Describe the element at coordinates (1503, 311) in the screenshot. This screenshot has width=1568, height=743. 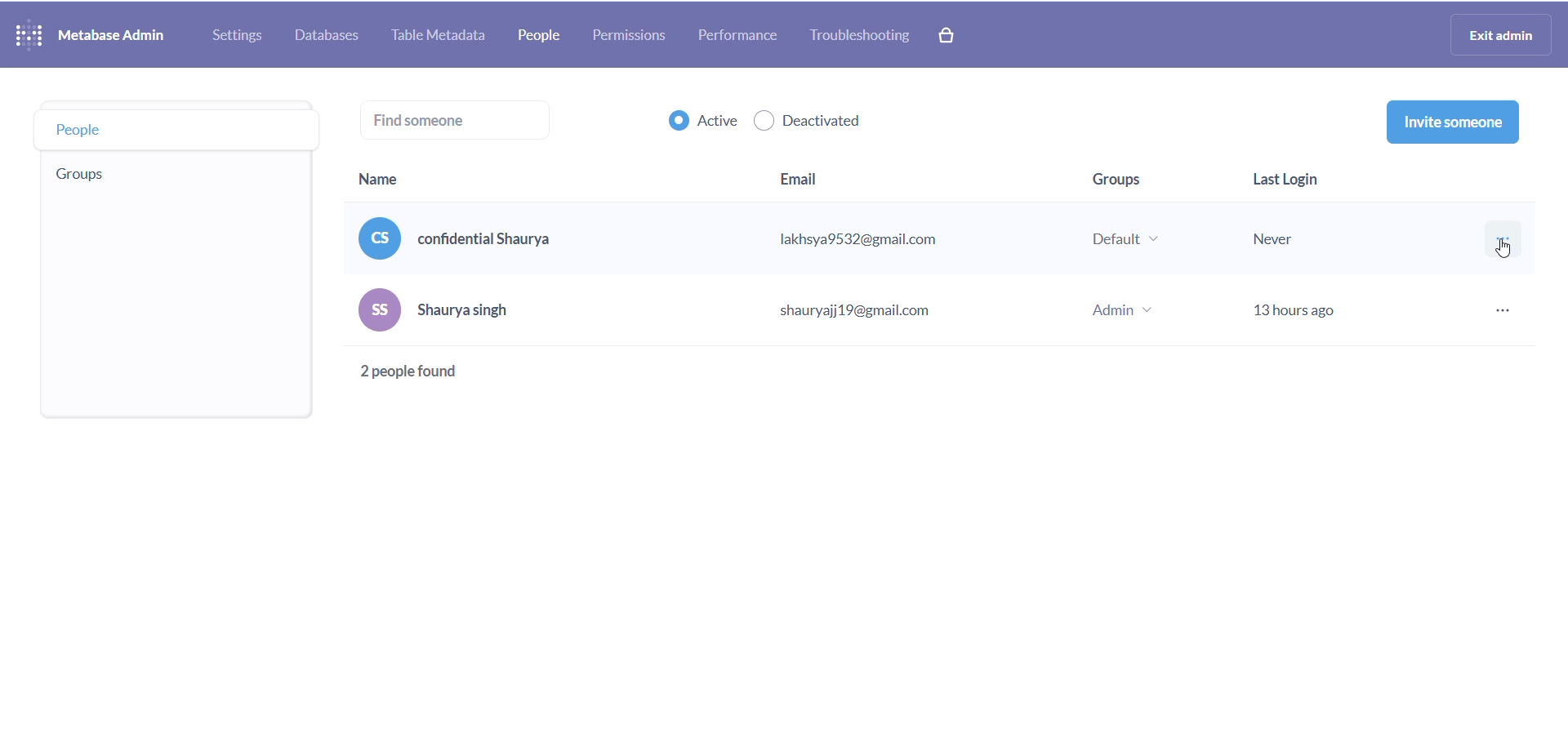
I see `more options` at that location.